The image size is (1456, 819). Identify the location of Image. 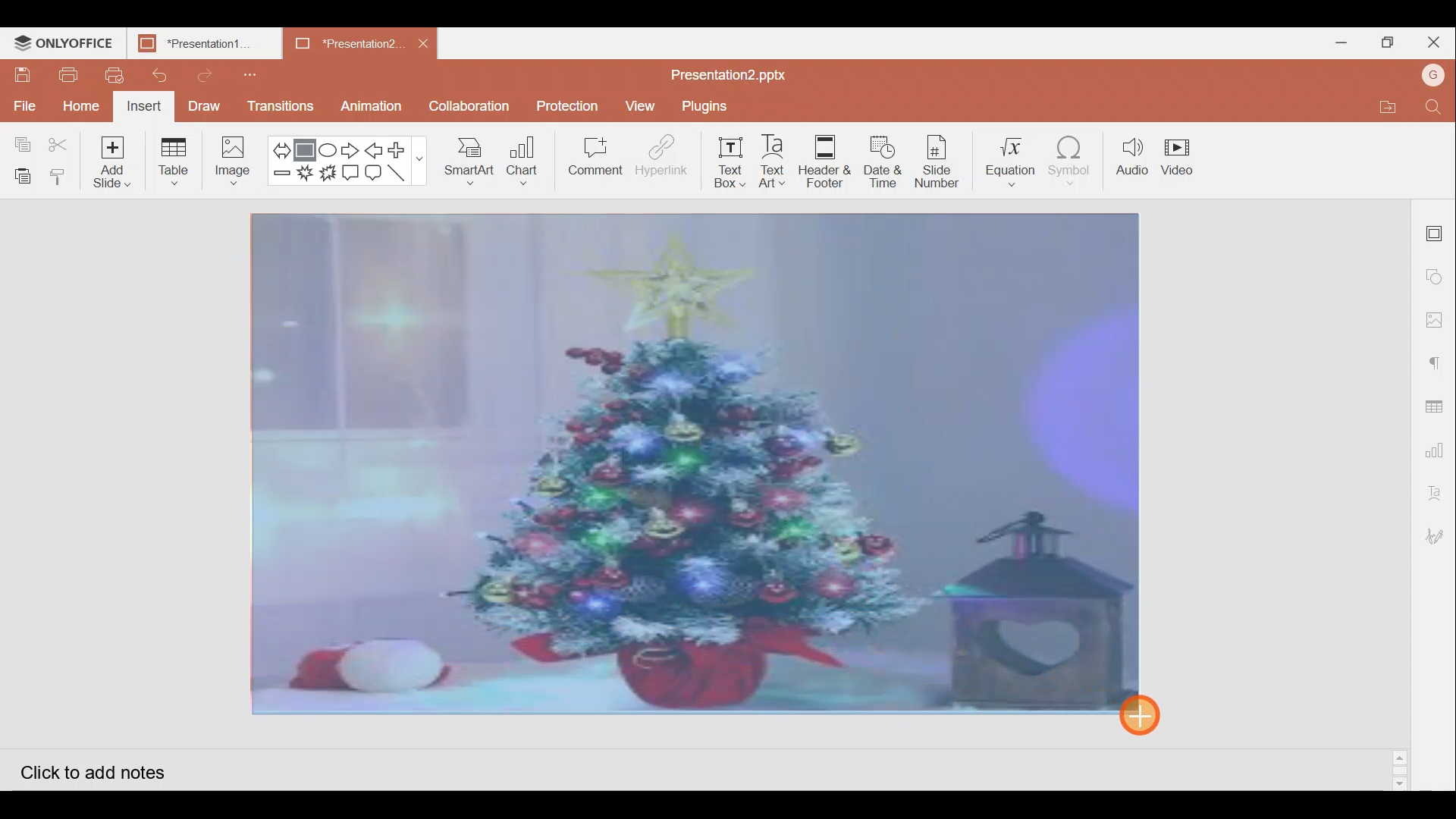
(233, 161).